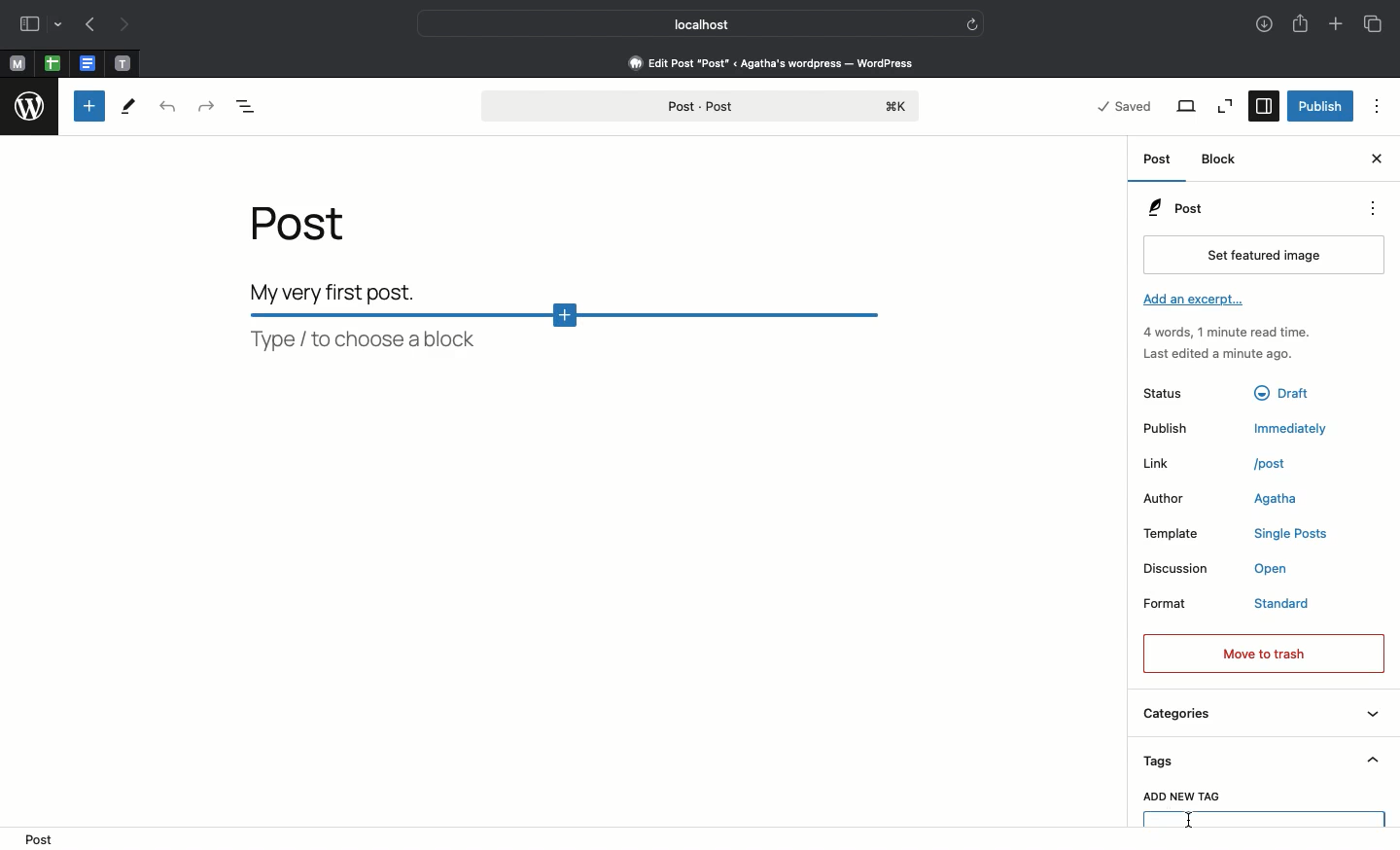  What do you see at coordinates (972, 26) in the screenshot?
I see `refresh` at bounding box center [972, 26].